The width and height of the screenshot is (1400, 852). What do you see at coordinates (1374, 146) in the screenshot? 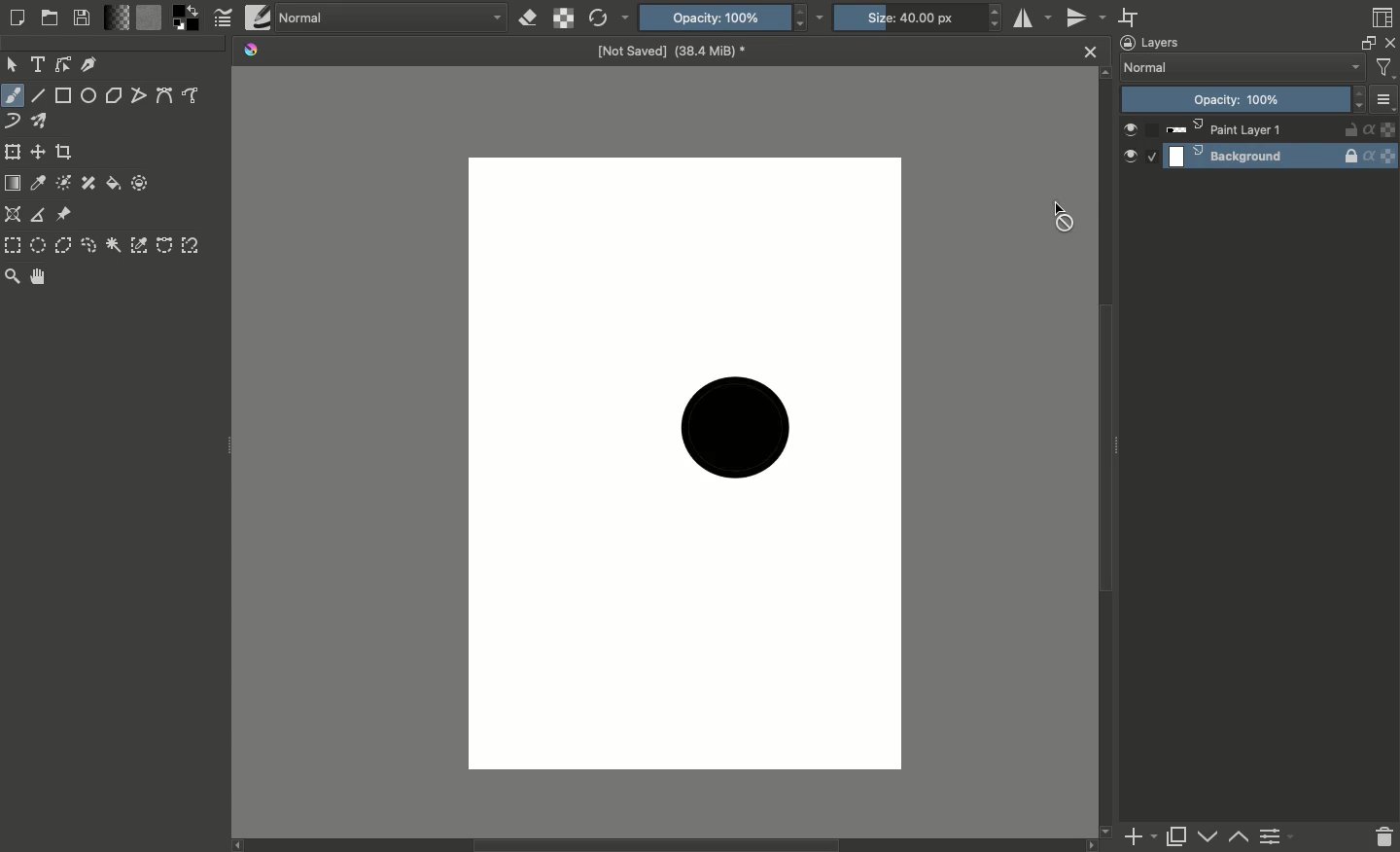
I see `Alpha` at bounding box center [1374, 146].